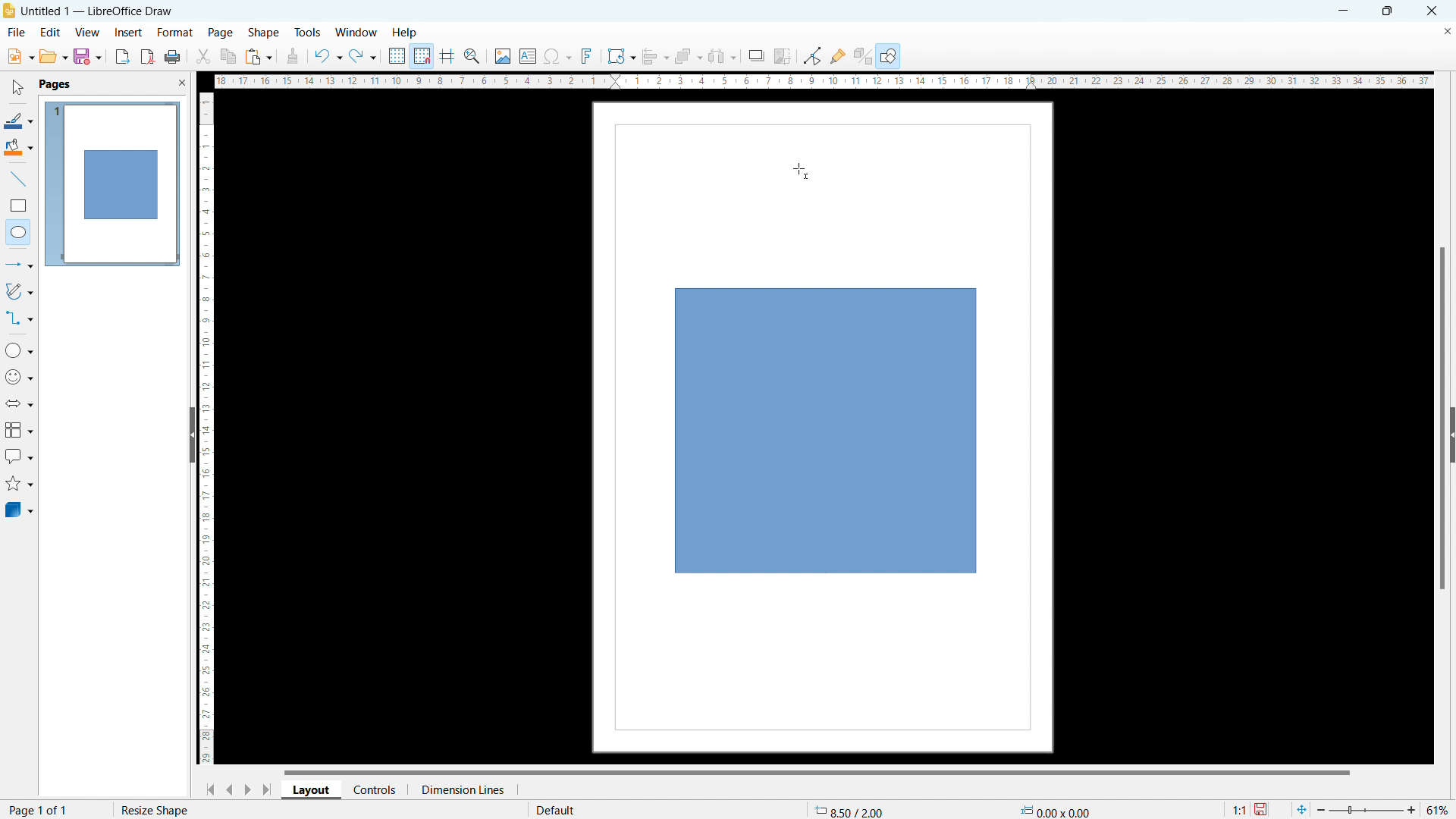 This screenshot has height=819, width=1456. Describe the element at coordinates (462, 789) in the screenshot. I see `dimension lines` at that location.